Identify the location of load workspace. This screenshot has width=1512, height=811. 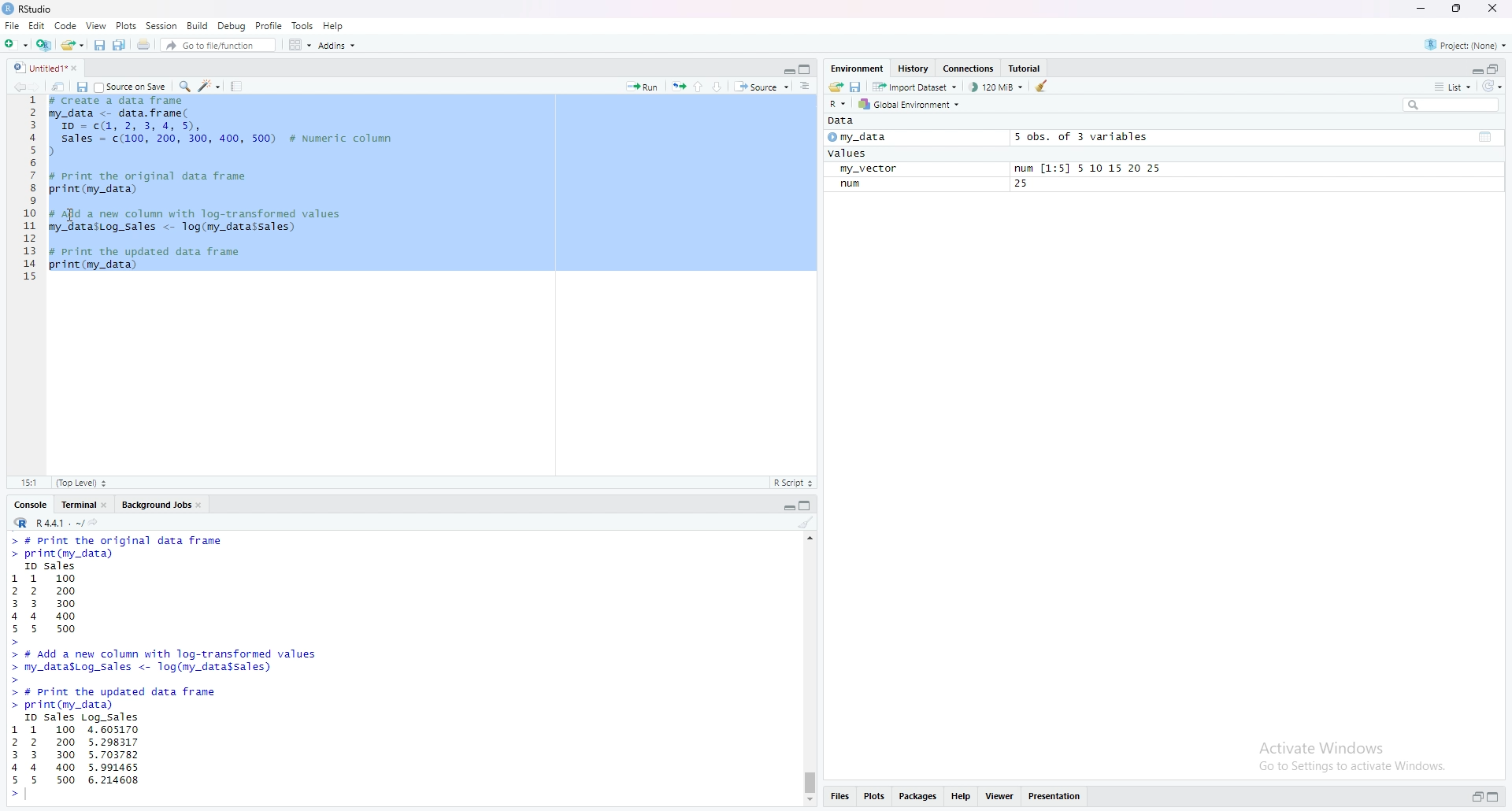
(833, 87).